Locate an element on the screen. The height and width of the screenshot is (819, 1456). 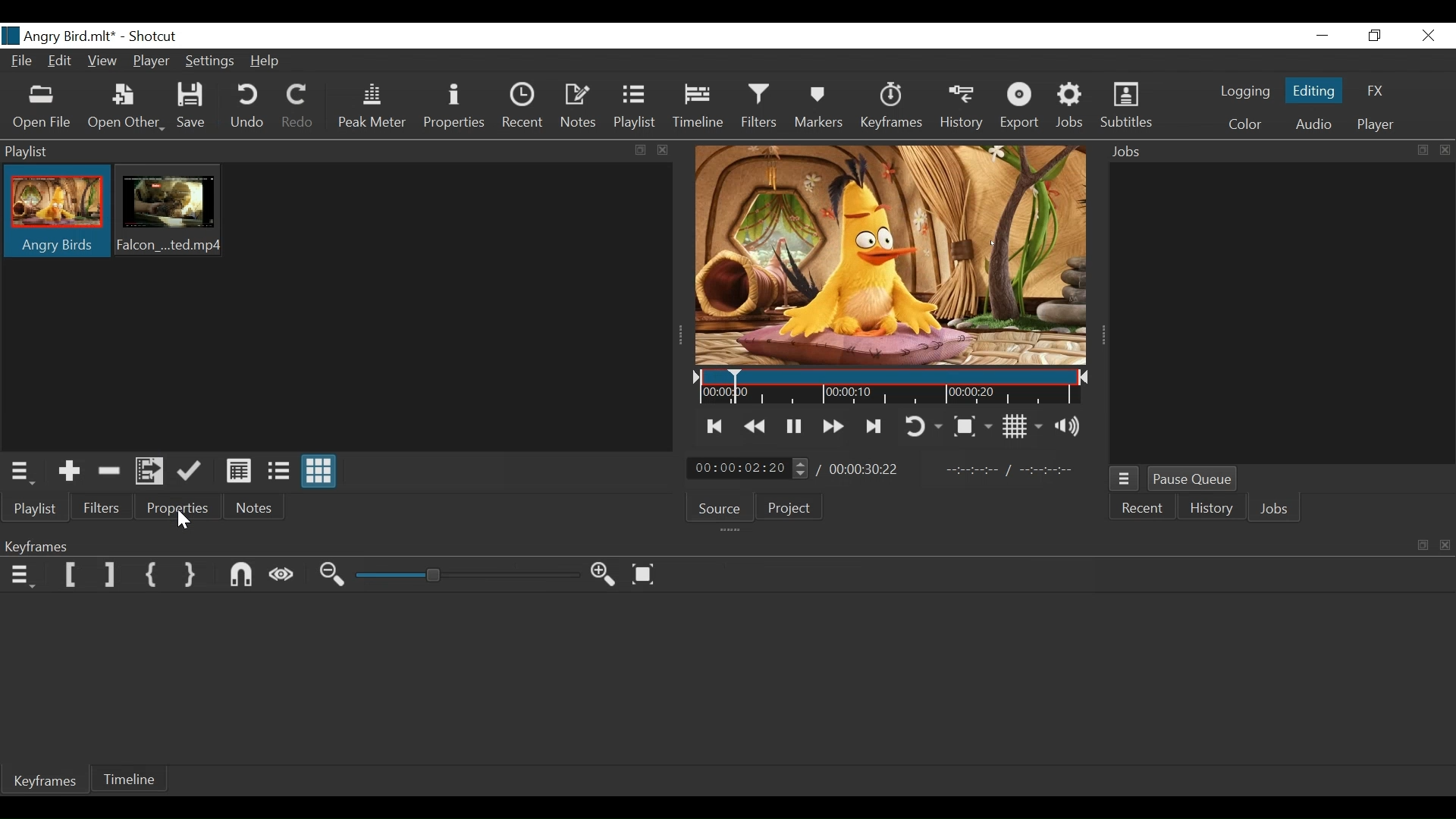
View as detail is located at coordinates (238, 472).